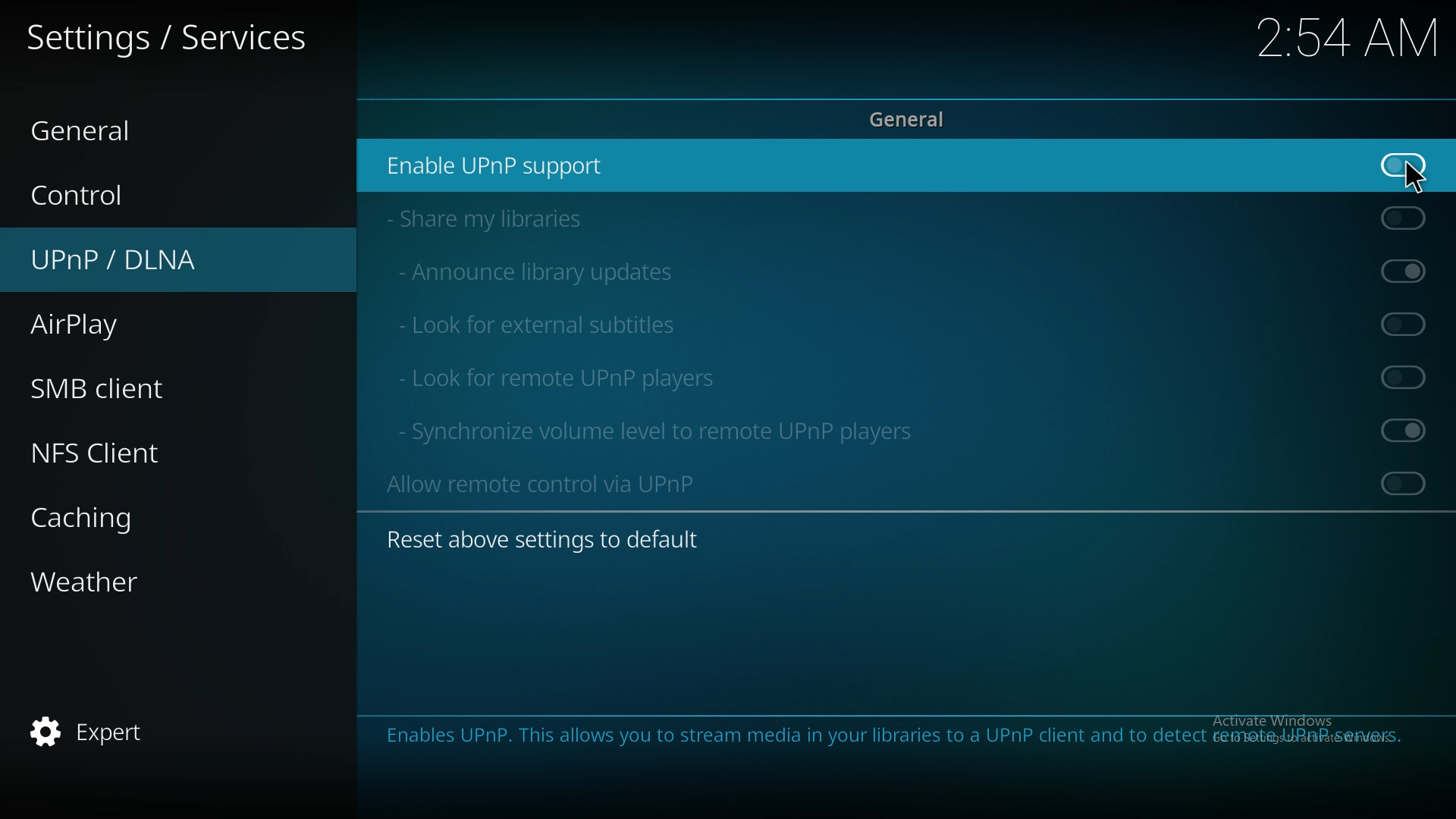 The width and height of the screenshot is (1456, 819). I want to click on weather, so click(110, 580).